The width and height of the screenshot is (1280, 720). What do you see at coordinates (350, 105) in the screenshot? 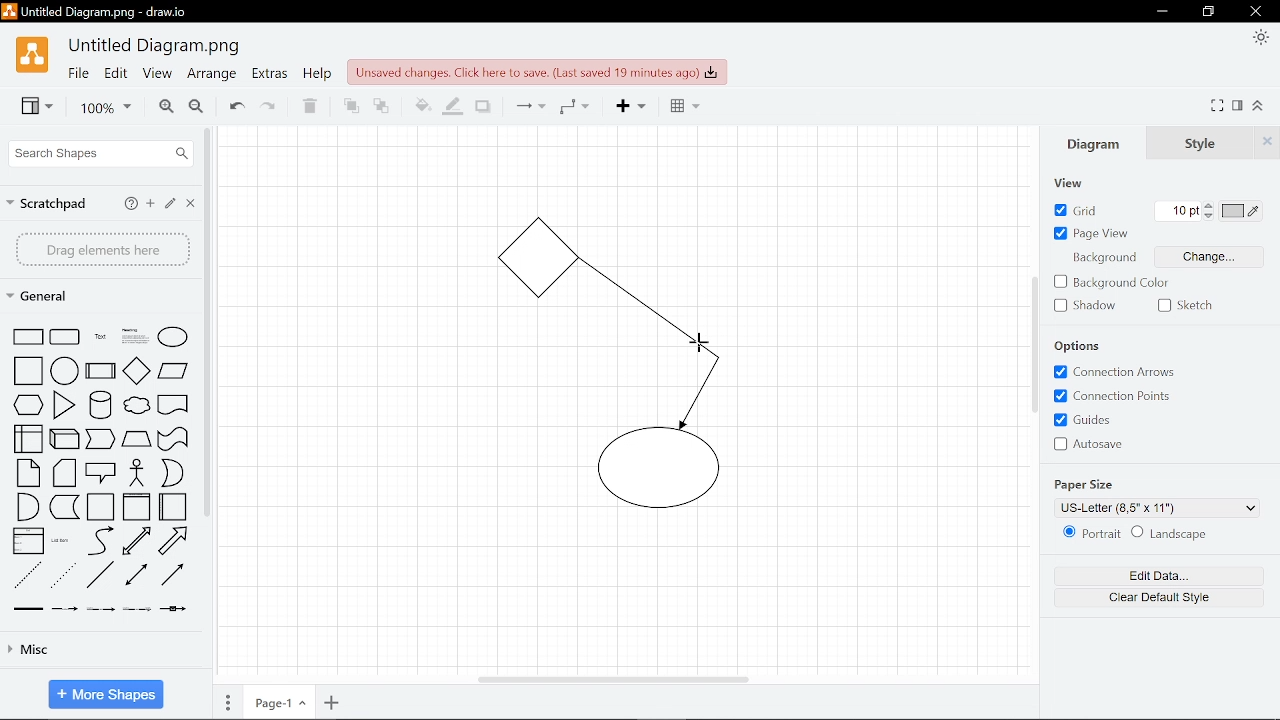
I see `To front` at bounding box center [350, 105].